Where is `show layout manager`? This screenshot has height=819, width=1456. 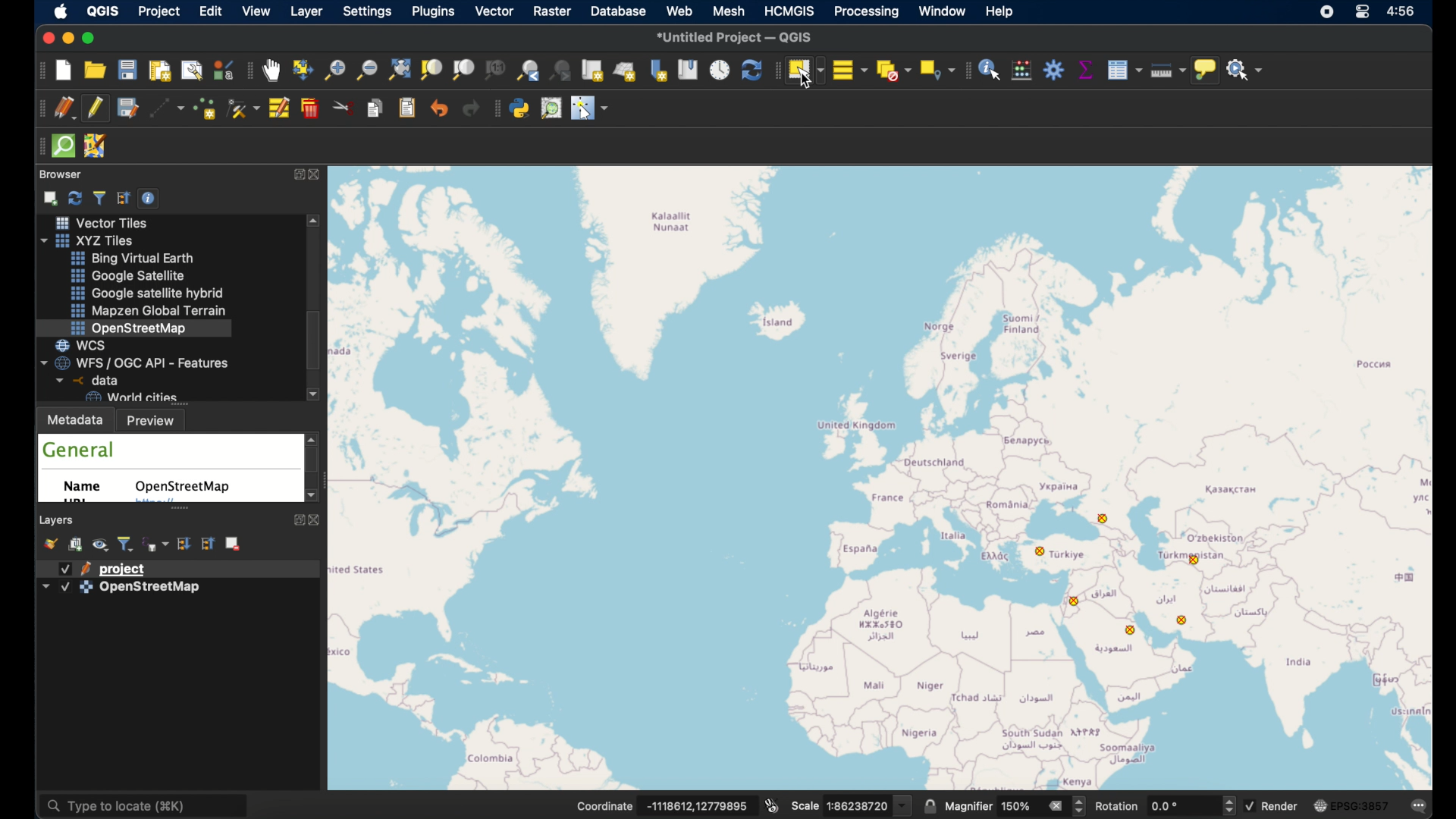 show layout manager is located at coordinates (193, 72).